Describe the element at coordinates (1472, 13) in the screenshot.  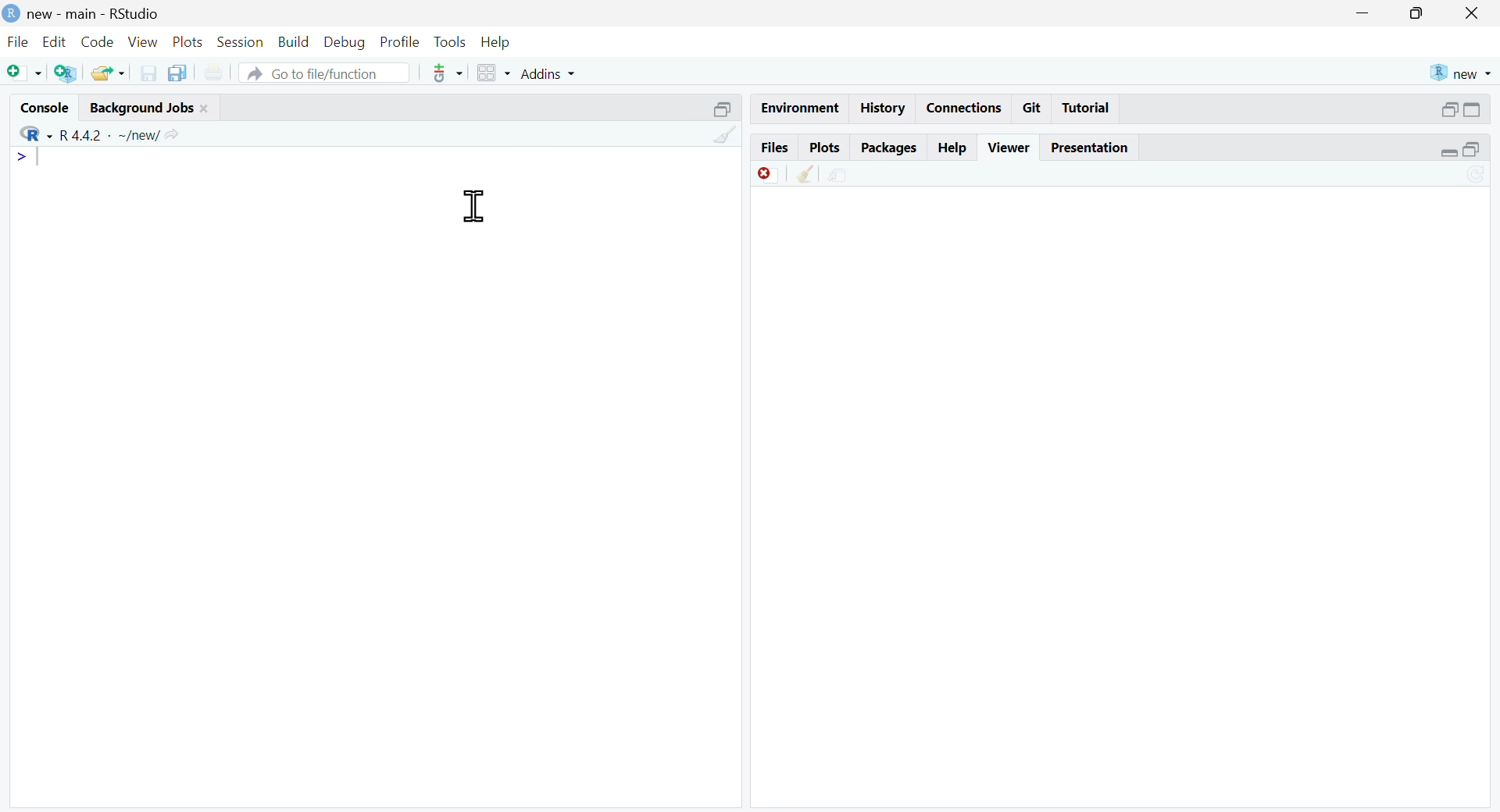
I see `close` at that location.